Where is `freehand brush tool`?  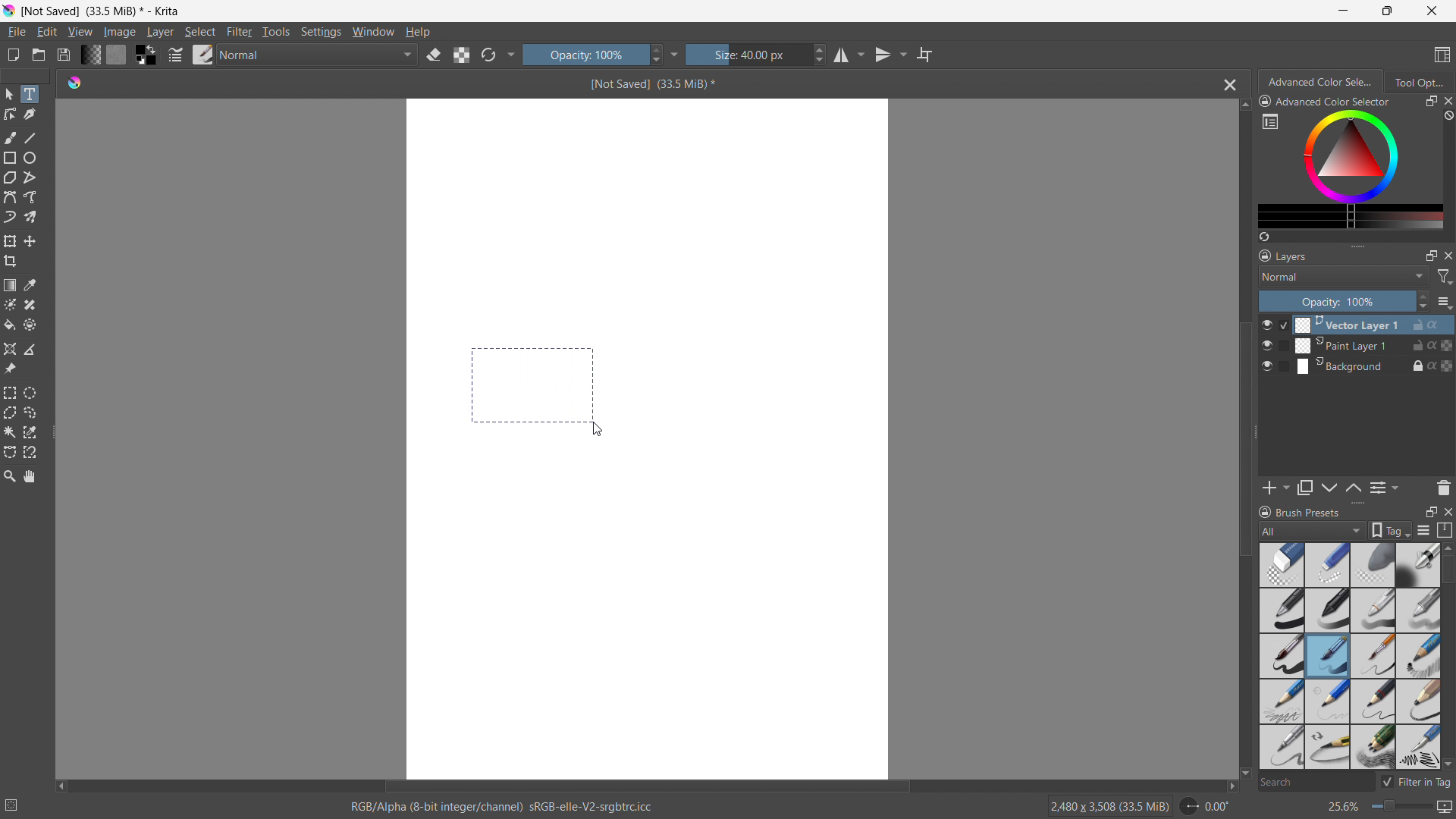
freehand brush tool is located at coordinates (11, 137).